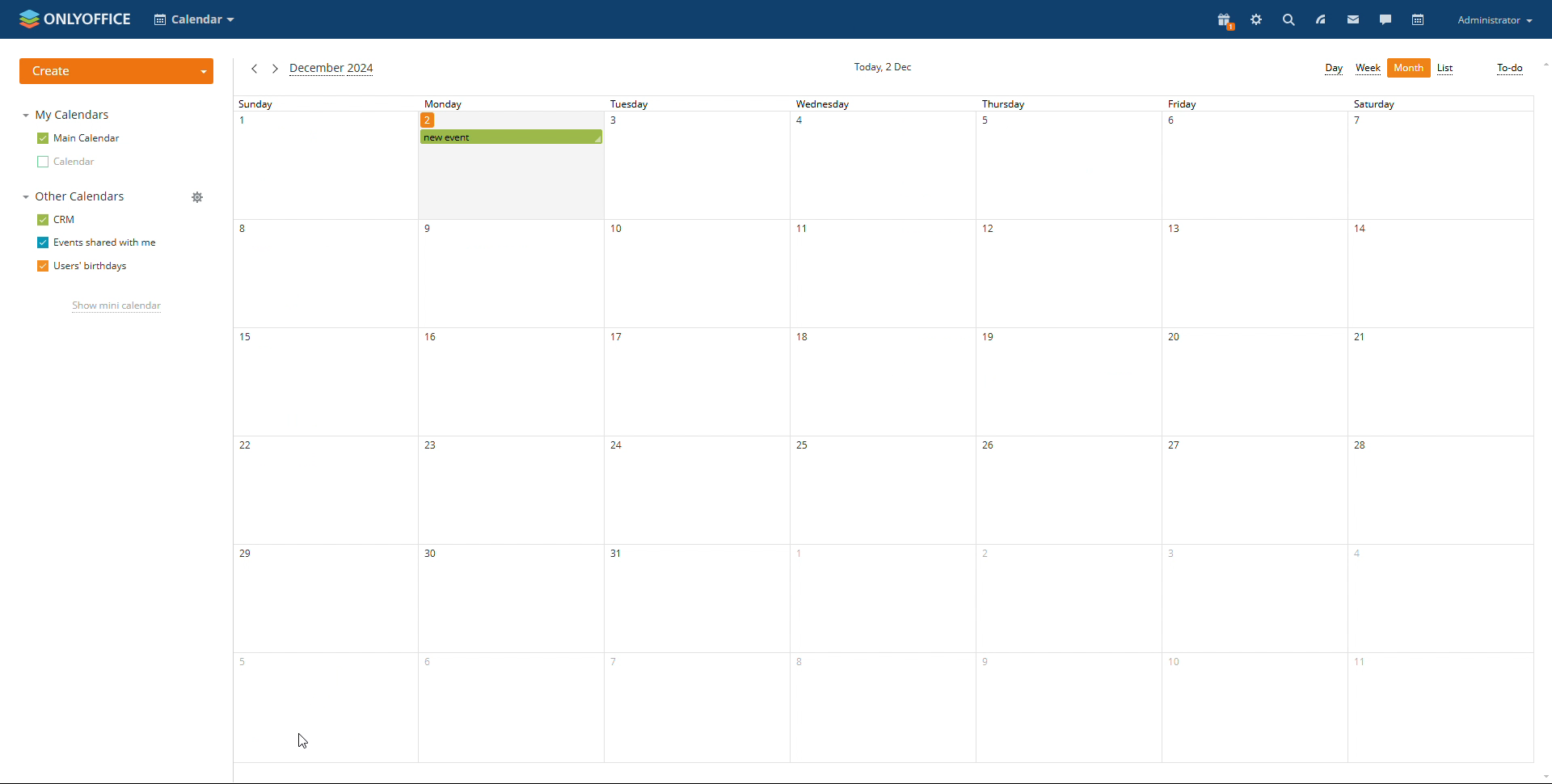 The width and height of the screenshot is (1552, 784). What do you see at coordinates (1290, 20) in the screenshot?
I see `search` at bounding box center [1290, 20].